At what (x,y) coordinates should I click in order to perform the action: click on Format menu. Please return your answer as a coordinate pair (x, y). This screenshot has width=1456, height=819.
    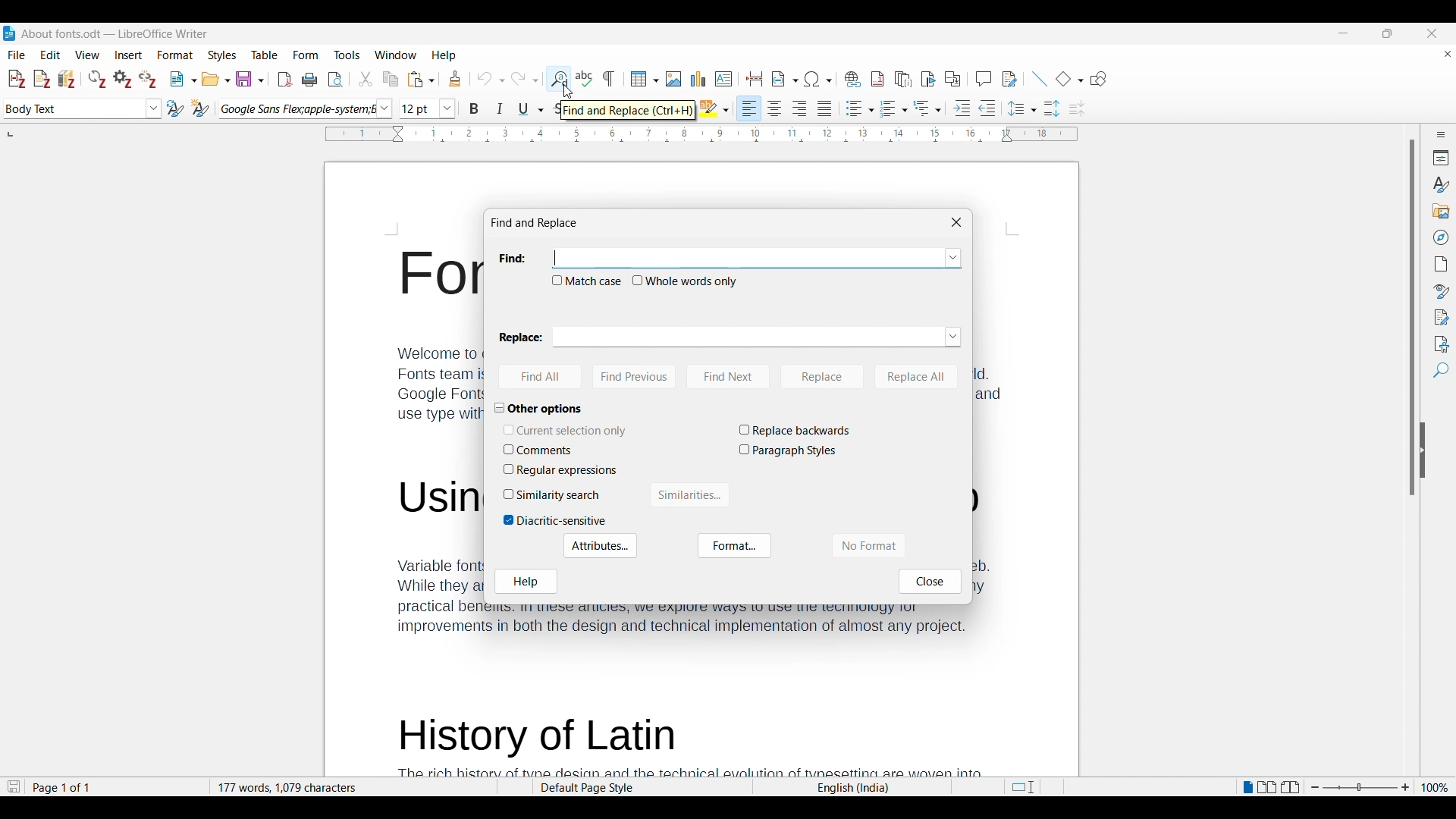
    Looking at the image, I should click on (176, 55).